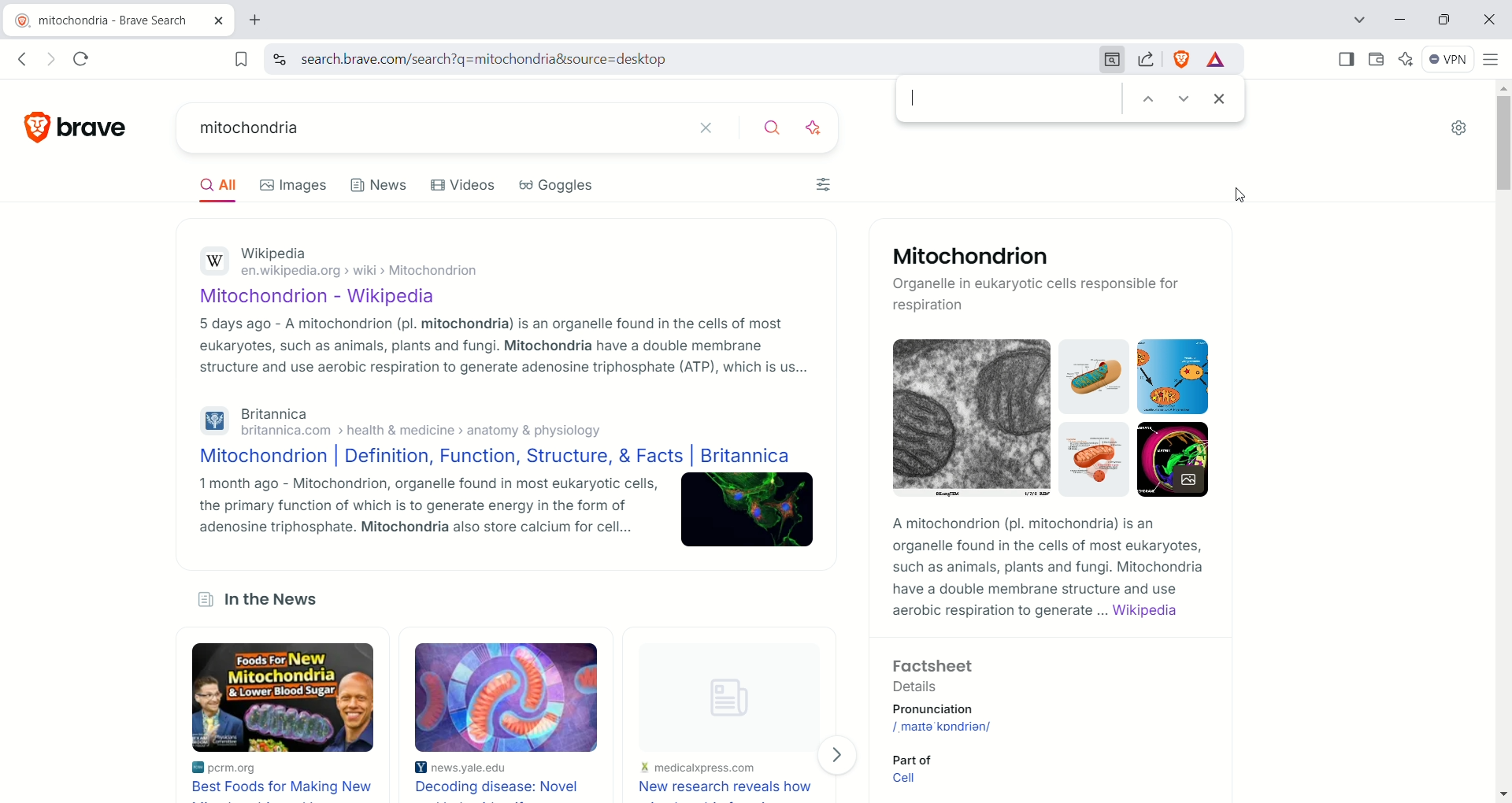  I want to click on settings, so click(1458, 128).